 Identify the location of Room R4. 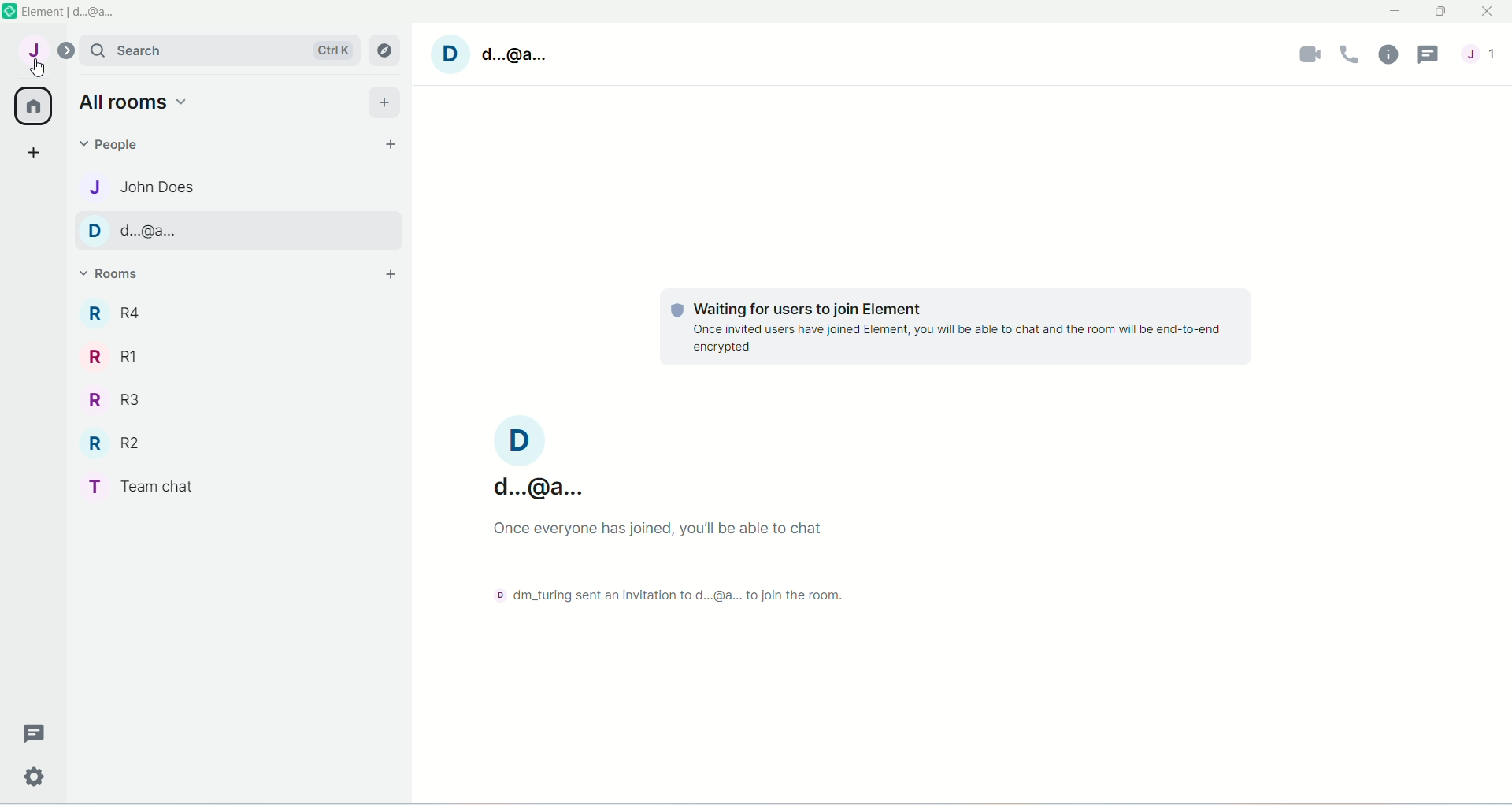
(113, 318).